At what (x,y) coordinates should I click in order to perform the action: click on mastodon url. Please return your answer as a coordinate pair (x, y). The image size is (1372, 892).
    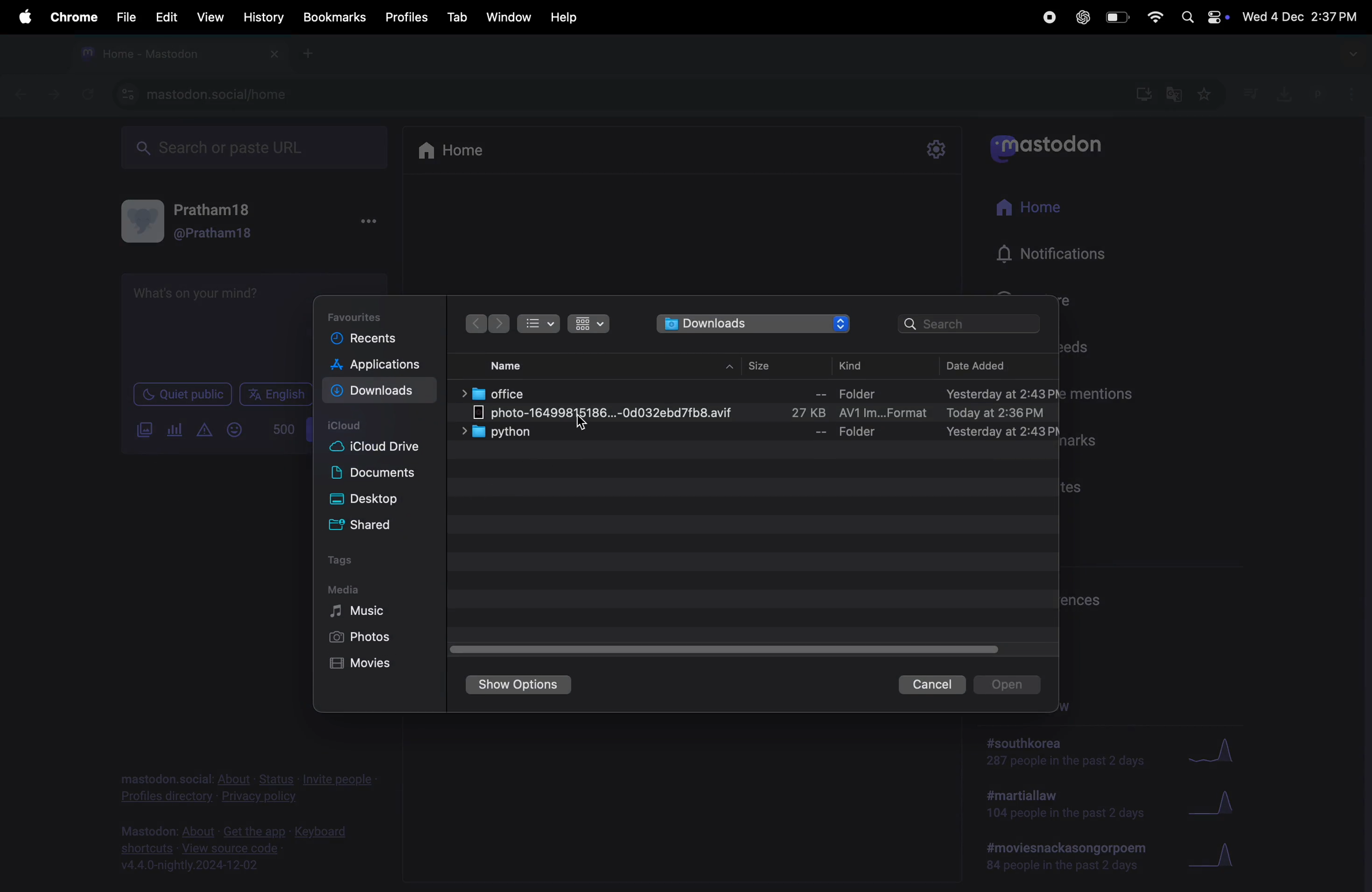
    Looking at the image, I should click on (208, 95).